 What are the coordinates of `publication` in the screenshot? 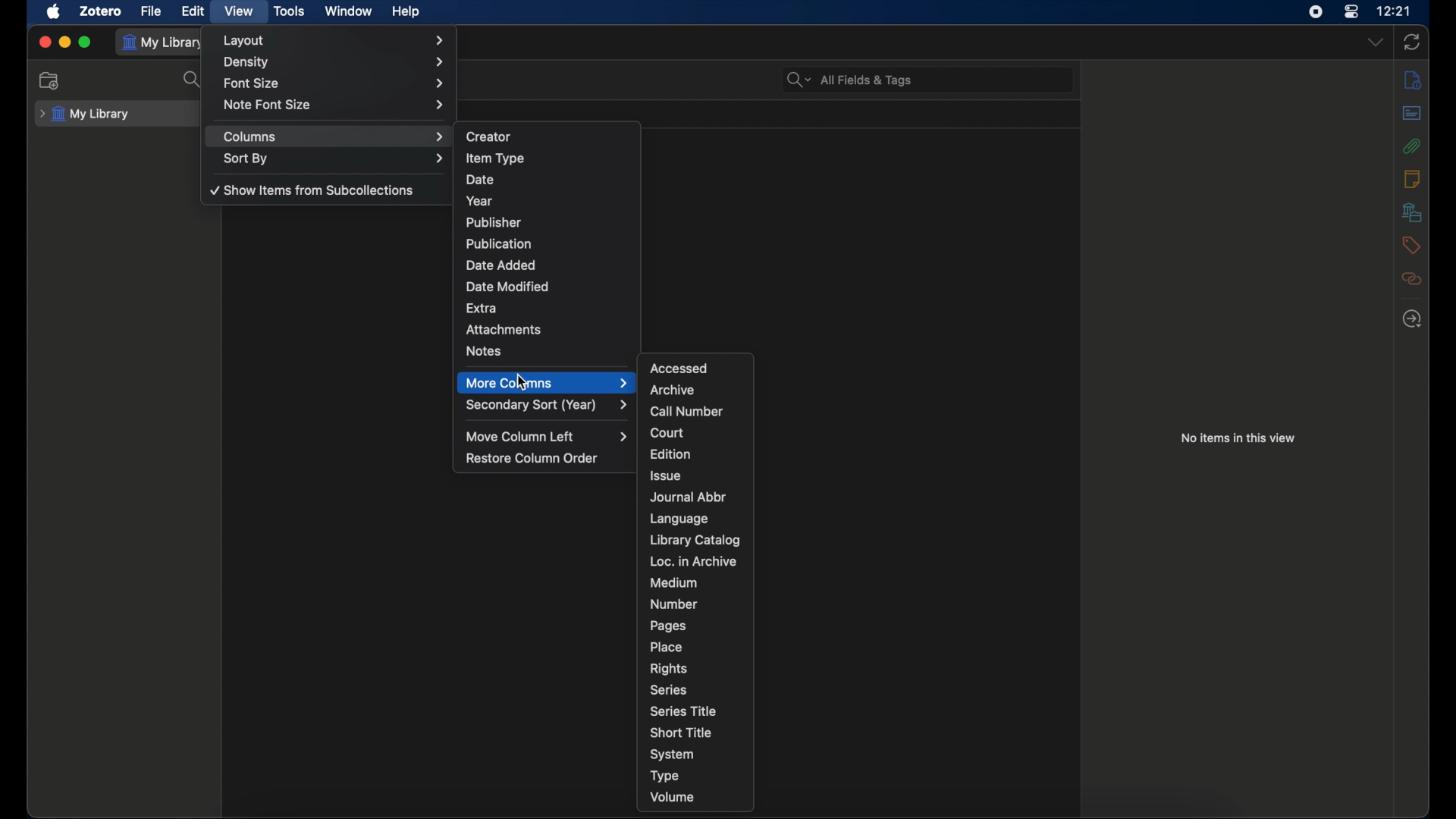 It's located at (497, 243).